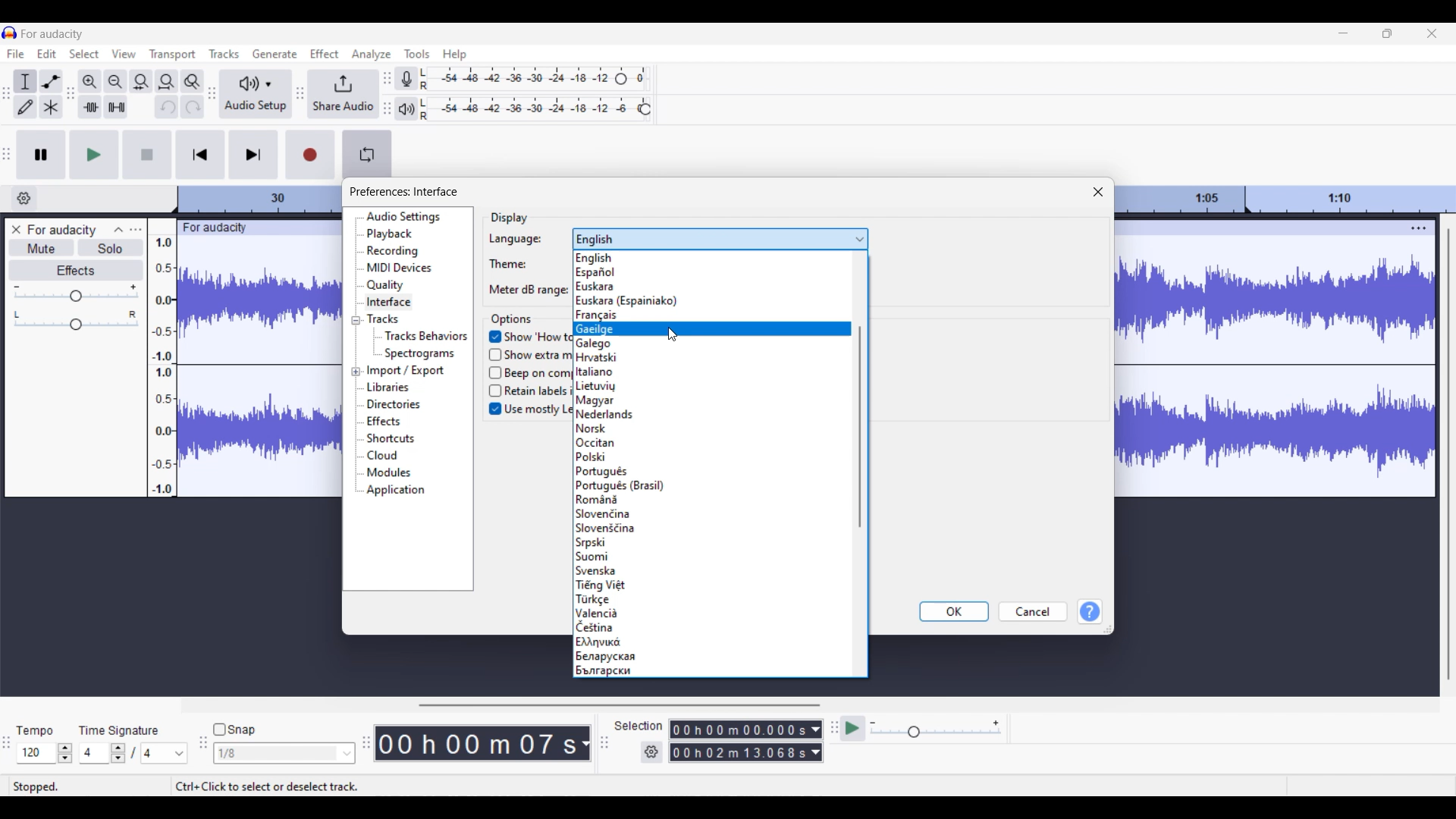  I want to click on Fit project to width, so click(167, 82).